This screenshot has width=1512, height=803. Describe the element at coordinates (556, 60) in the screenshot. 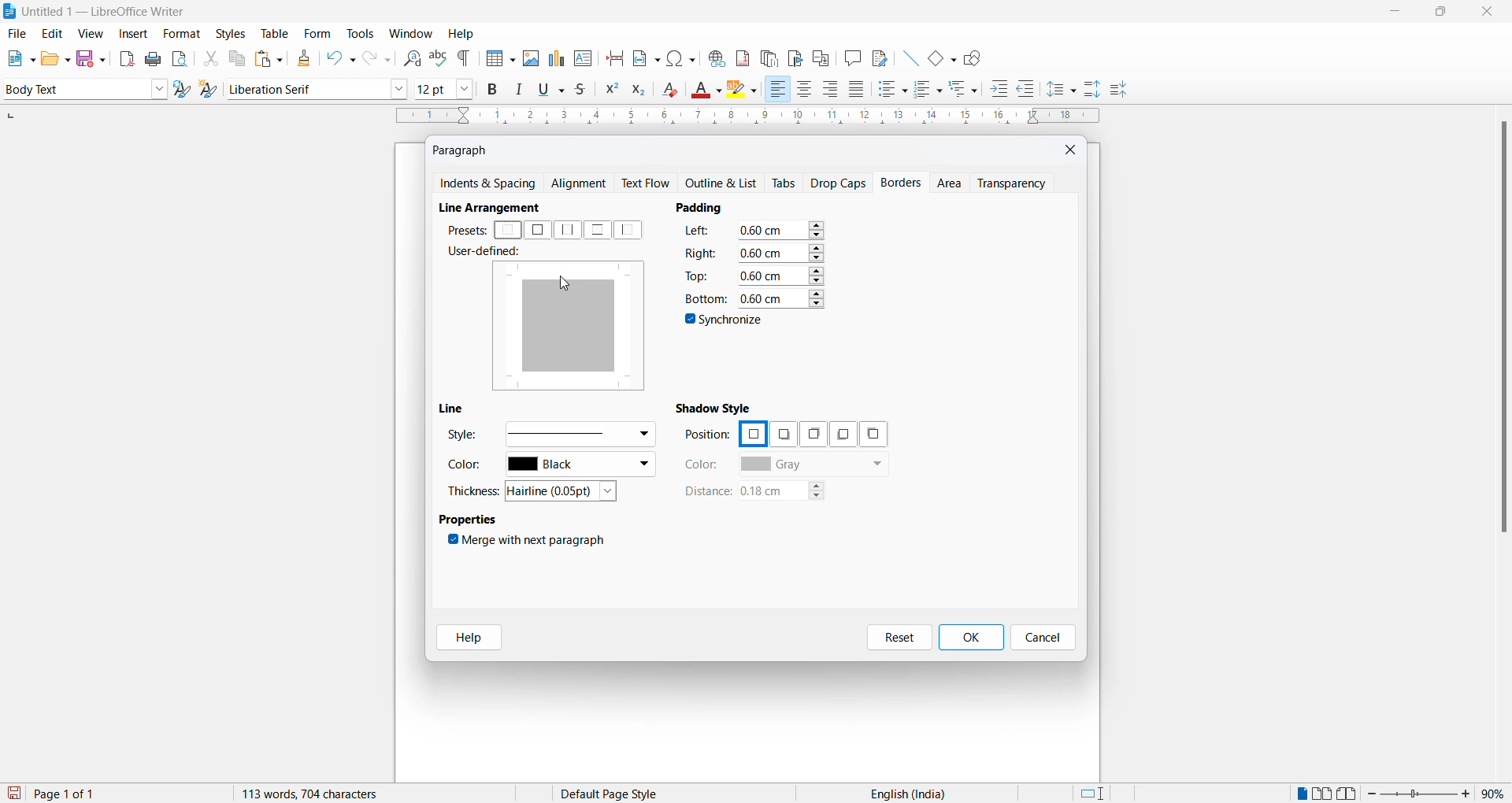

I see `insert chart` at that location.